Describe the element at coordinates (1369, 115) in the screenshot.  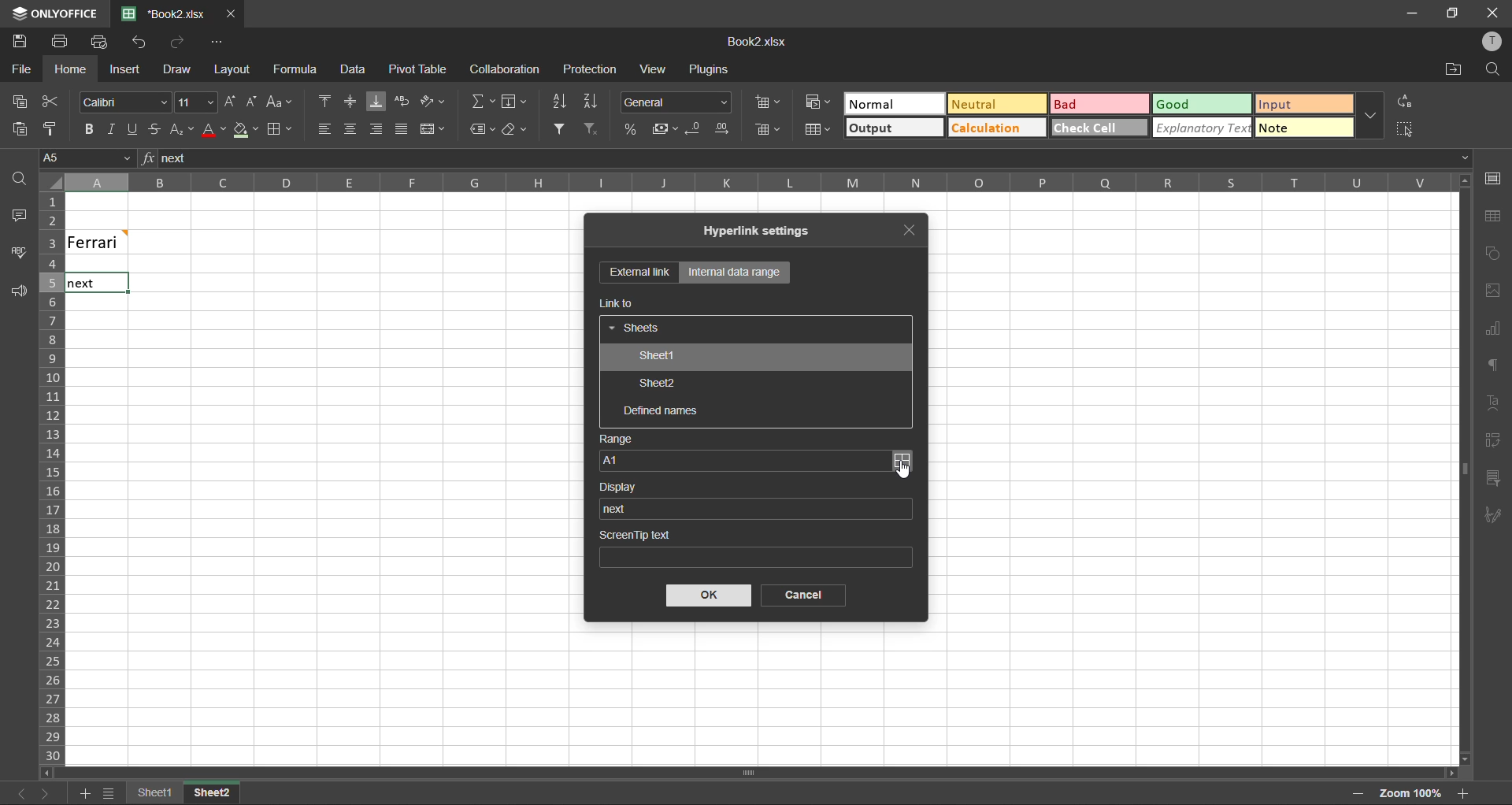
I see `more options` at that location.